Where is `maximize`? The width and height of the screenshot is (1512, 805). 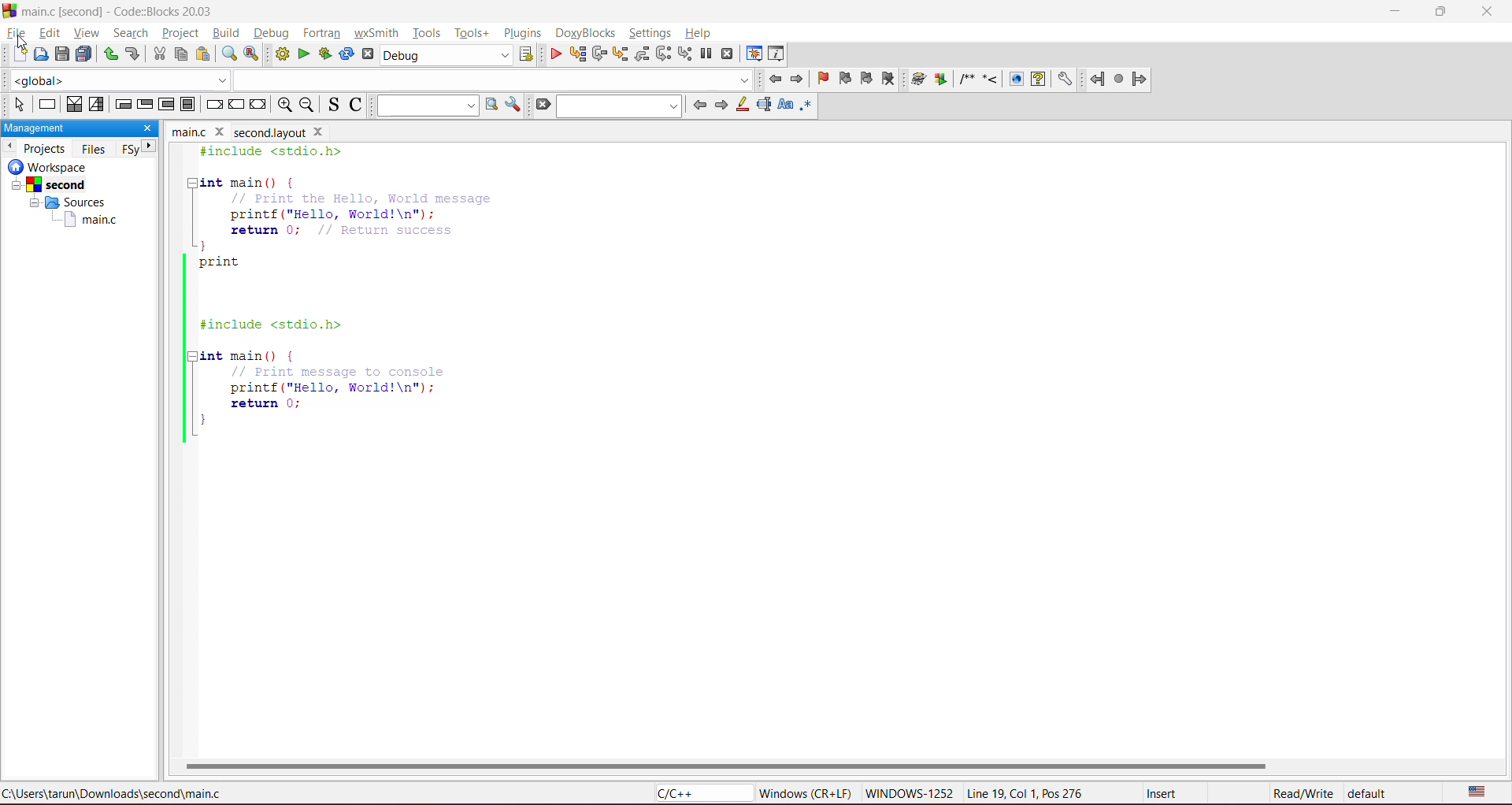
maximize is located at coordinates (1444, 14).